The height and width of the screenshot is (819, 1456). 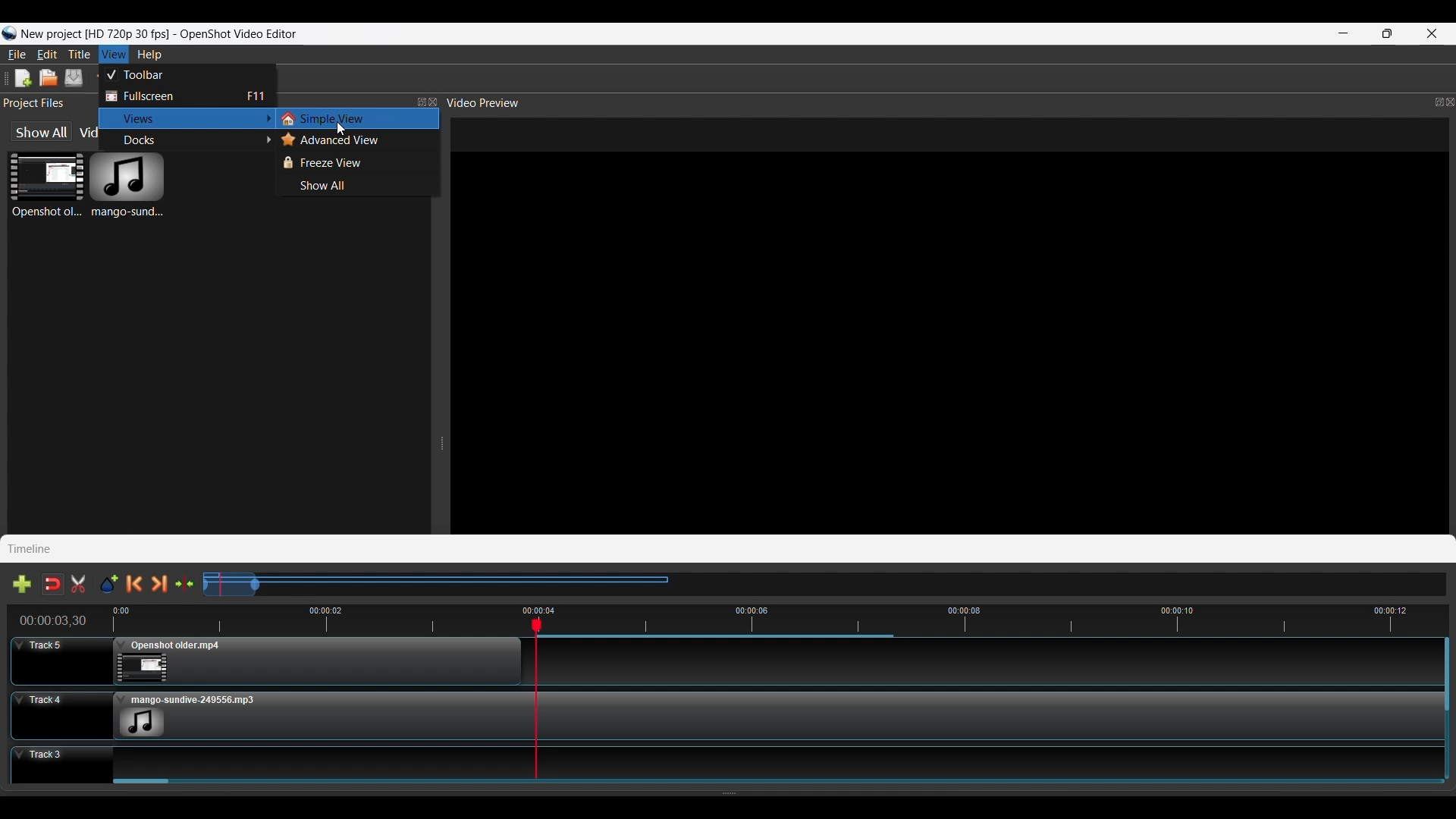 I want to click on Track 4, so click(x=719, y=716).